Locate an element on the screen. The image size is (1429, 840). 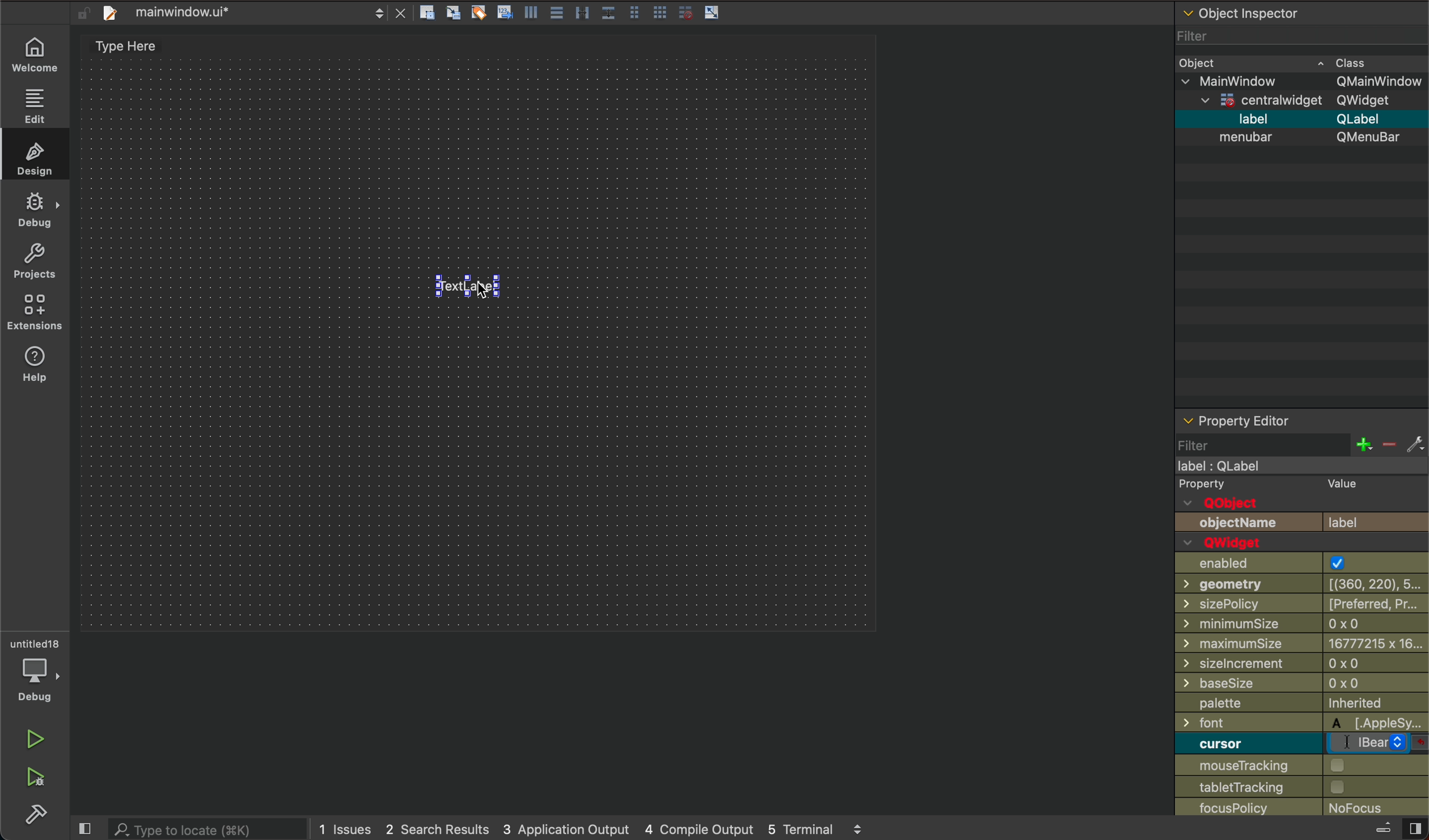
debug is located at coordinates (37, 215).